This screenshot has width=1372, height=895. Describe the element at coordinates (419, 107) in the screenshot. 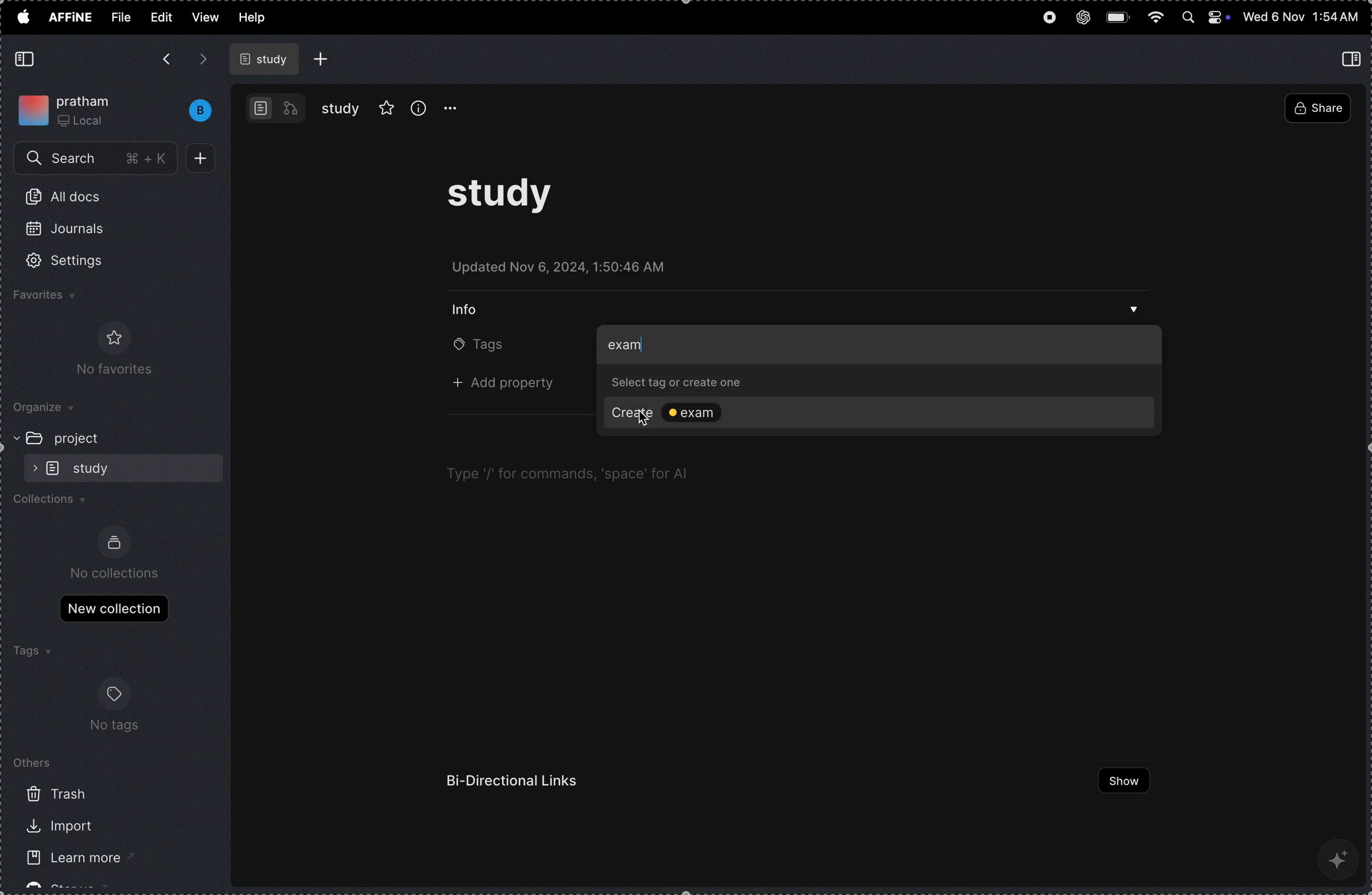

I see `info` at that location.